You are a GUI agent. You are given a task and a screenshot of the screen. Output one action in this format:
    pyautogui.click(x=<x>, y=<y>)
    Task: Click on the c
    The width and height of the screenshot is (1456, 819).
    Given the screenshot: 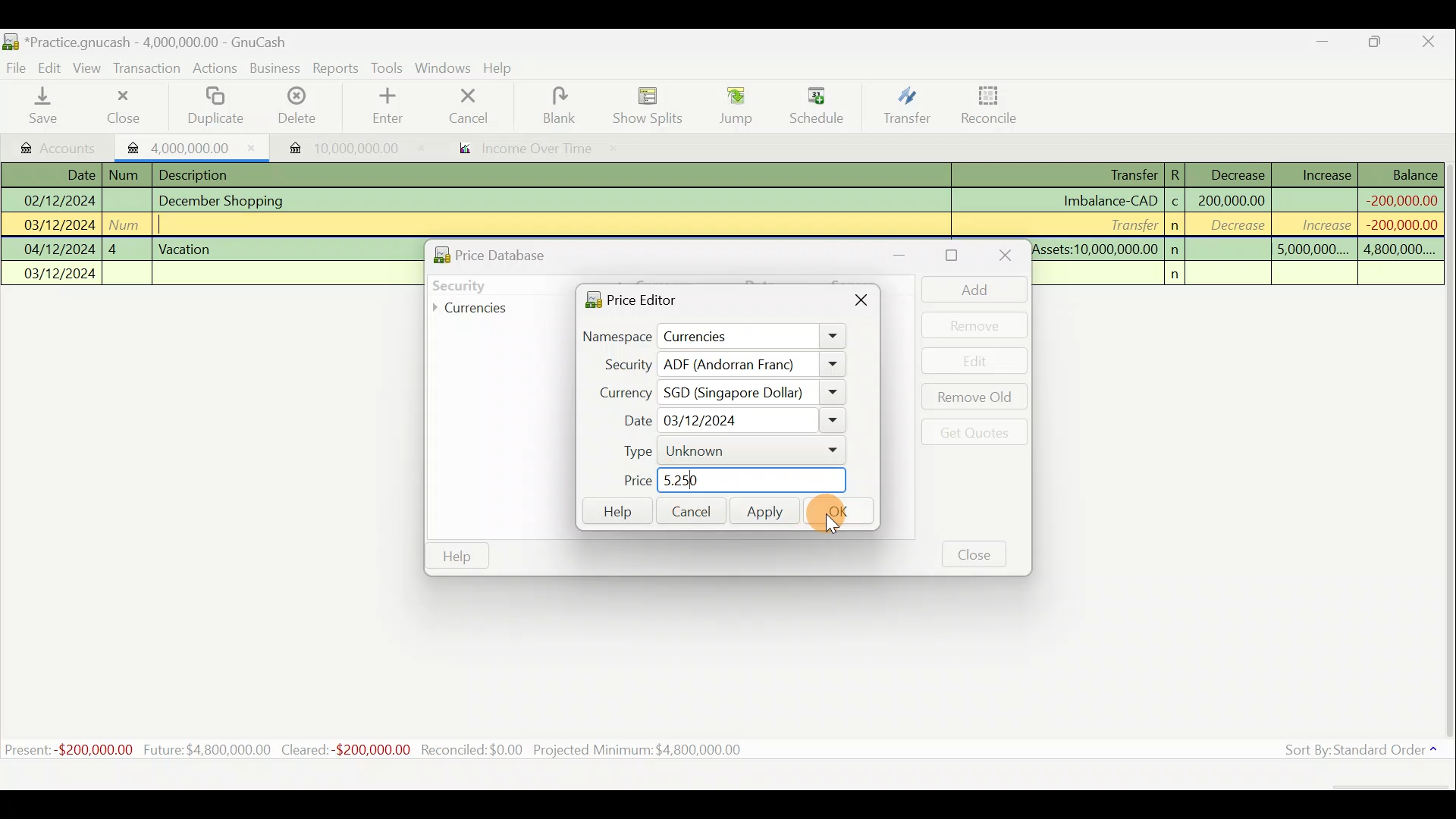 What is the action you would take?
    pyautogui.click(x=1175, y=203)
    